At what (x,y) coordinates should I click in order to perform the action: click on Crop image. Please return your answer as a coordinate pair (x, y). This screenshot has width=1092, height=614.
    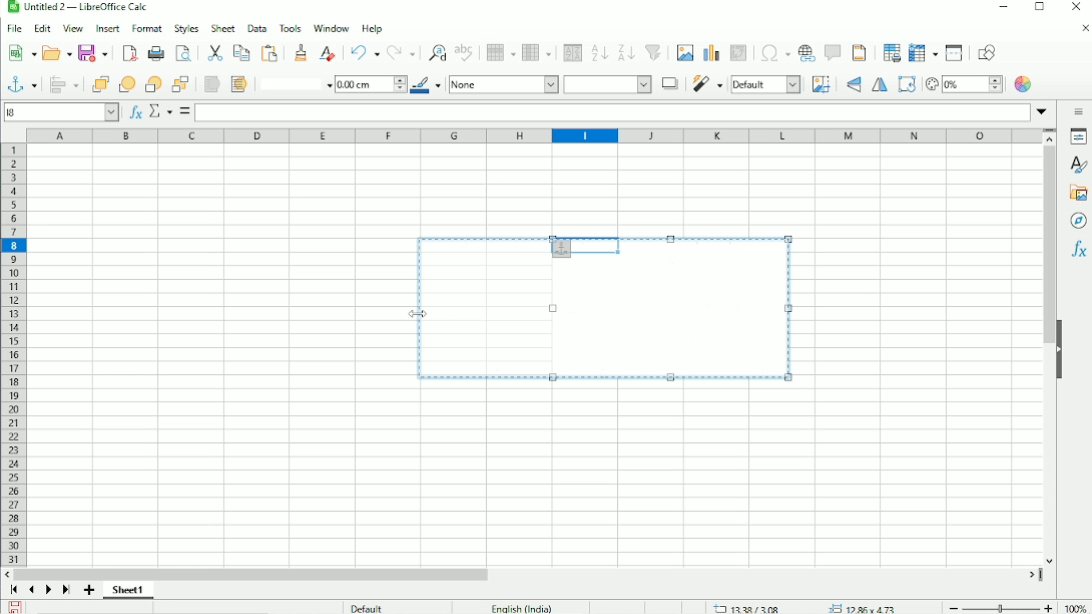
    Looking at the image, I should click on (821, 84).